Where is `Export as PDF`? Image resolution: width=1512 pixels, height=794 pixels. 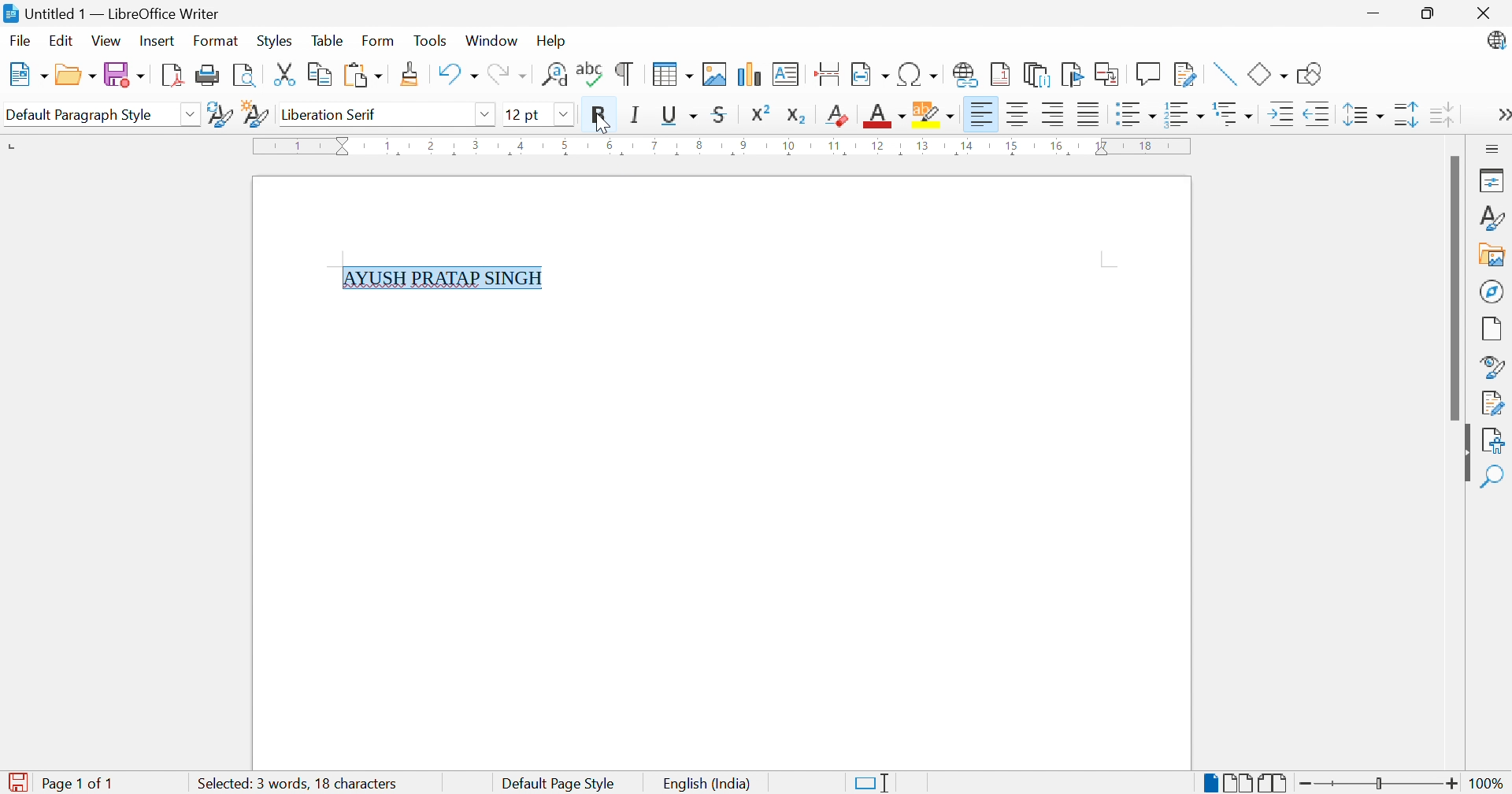
Export as PDF is located at coordinates (171, 76).